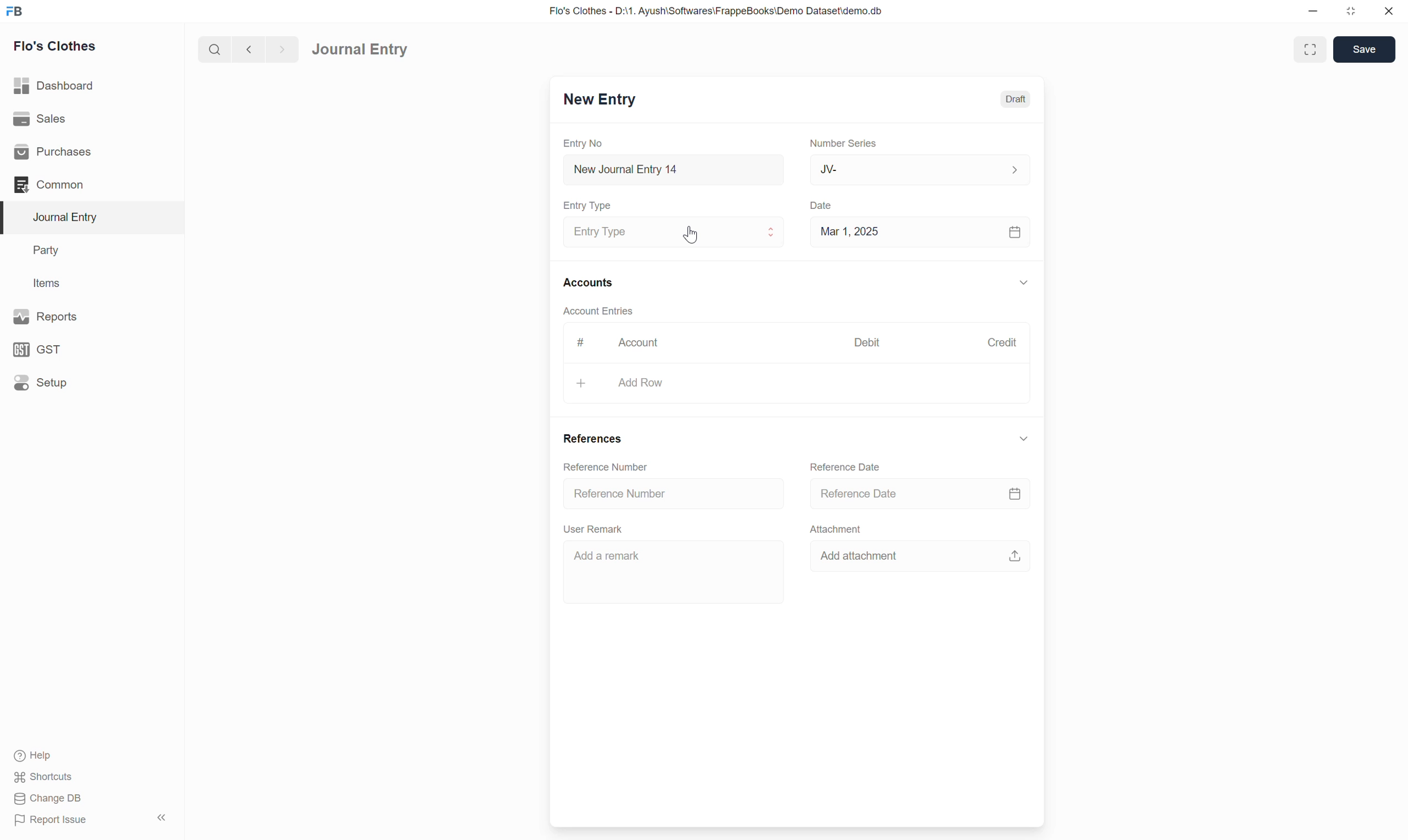  What do you see at coordinates (1313, 12) in the screenshot?
I see `minimize` at bounding box center [1313, 12].